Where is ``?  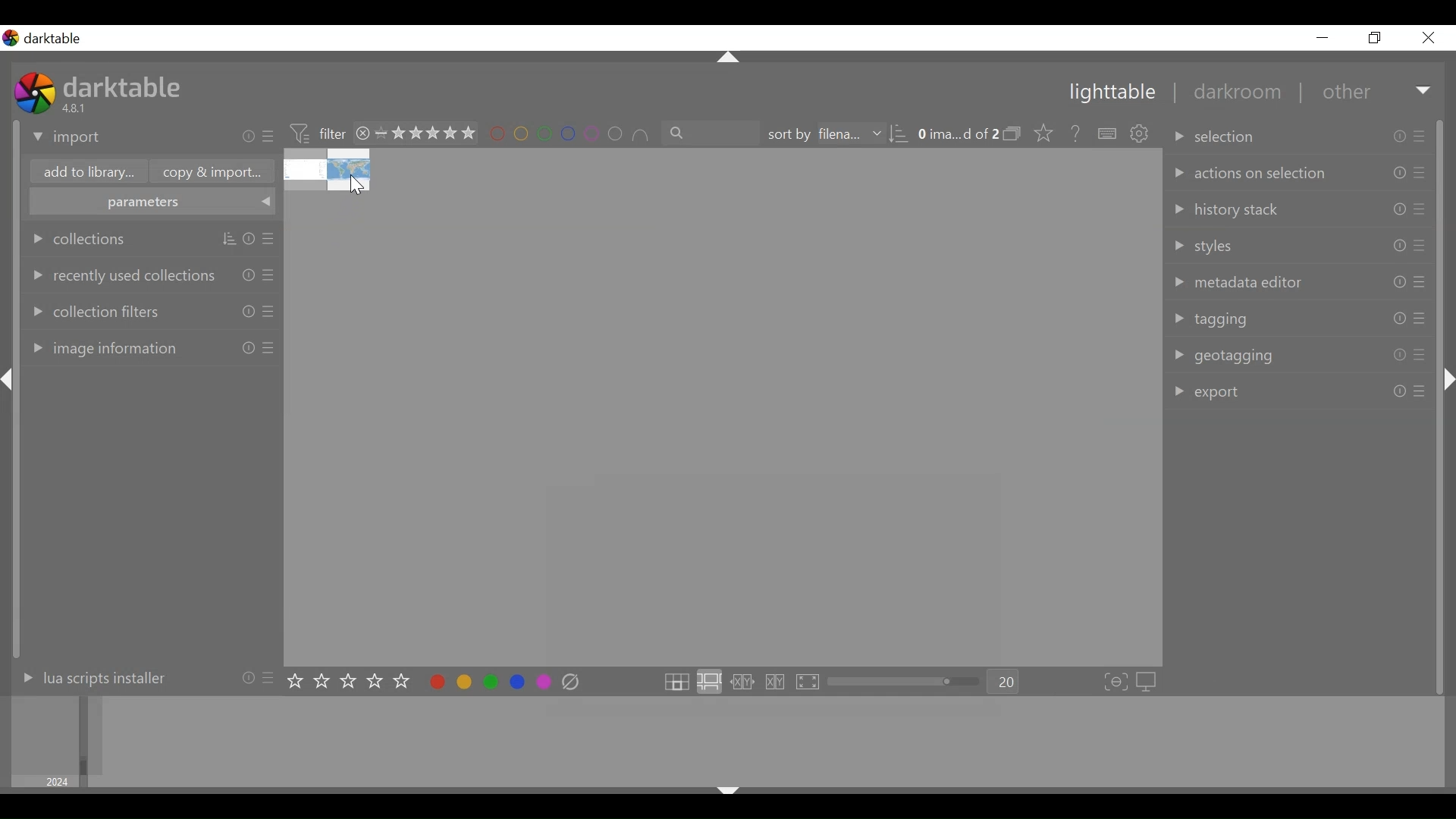
 is located at coordinates (1420, 356).